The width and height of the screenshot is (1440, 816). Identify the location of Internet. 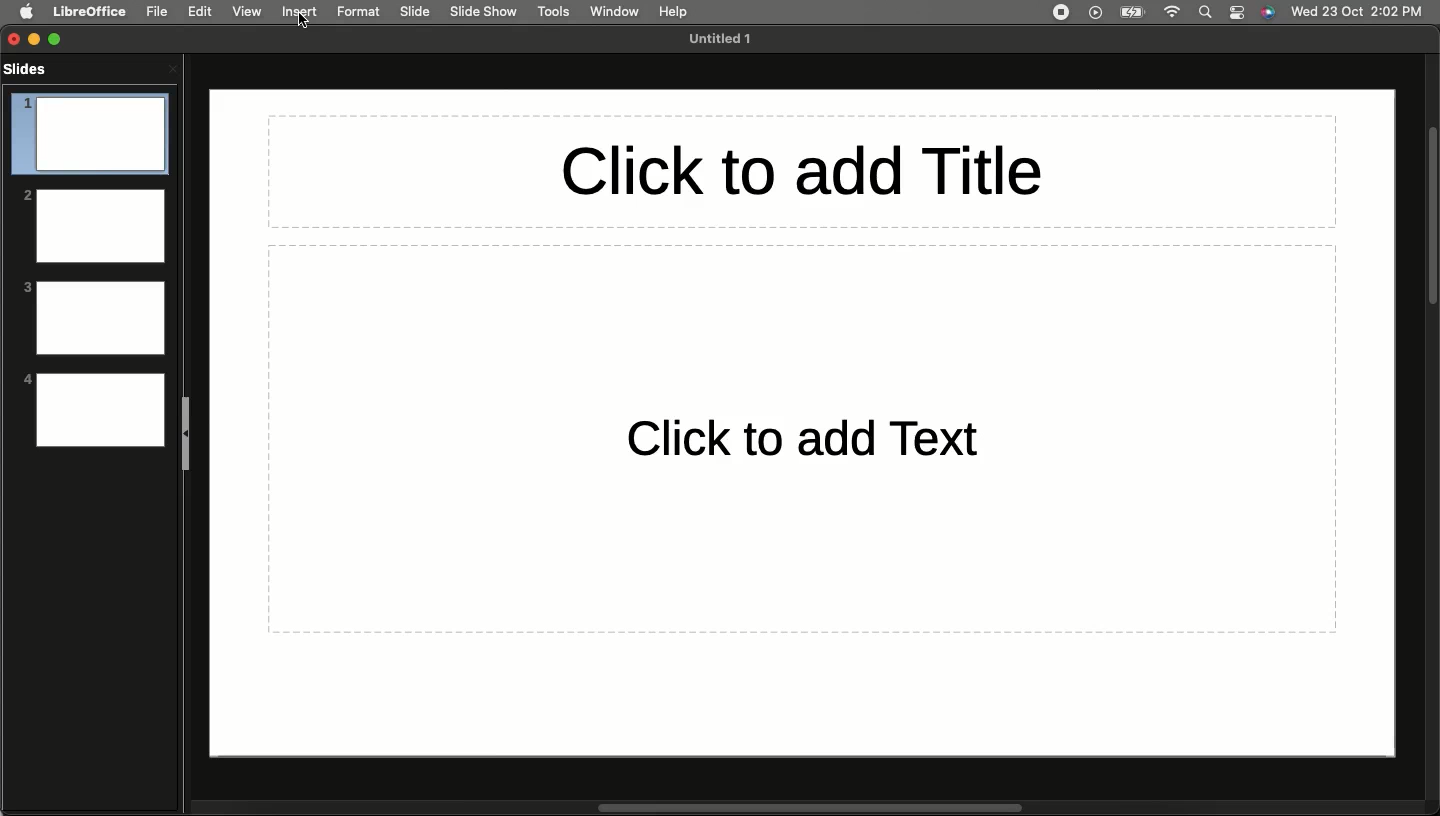
(1175, 12).